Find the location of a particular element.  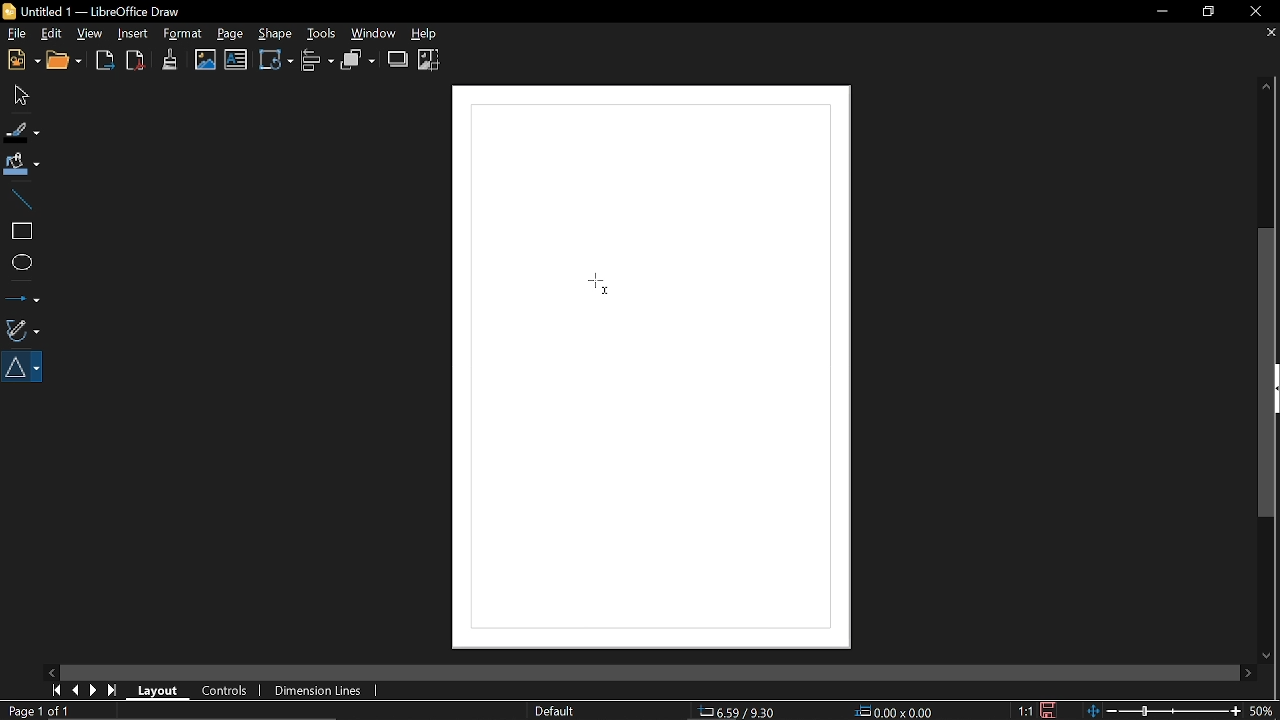

Size is located at coordinates (895, 712).